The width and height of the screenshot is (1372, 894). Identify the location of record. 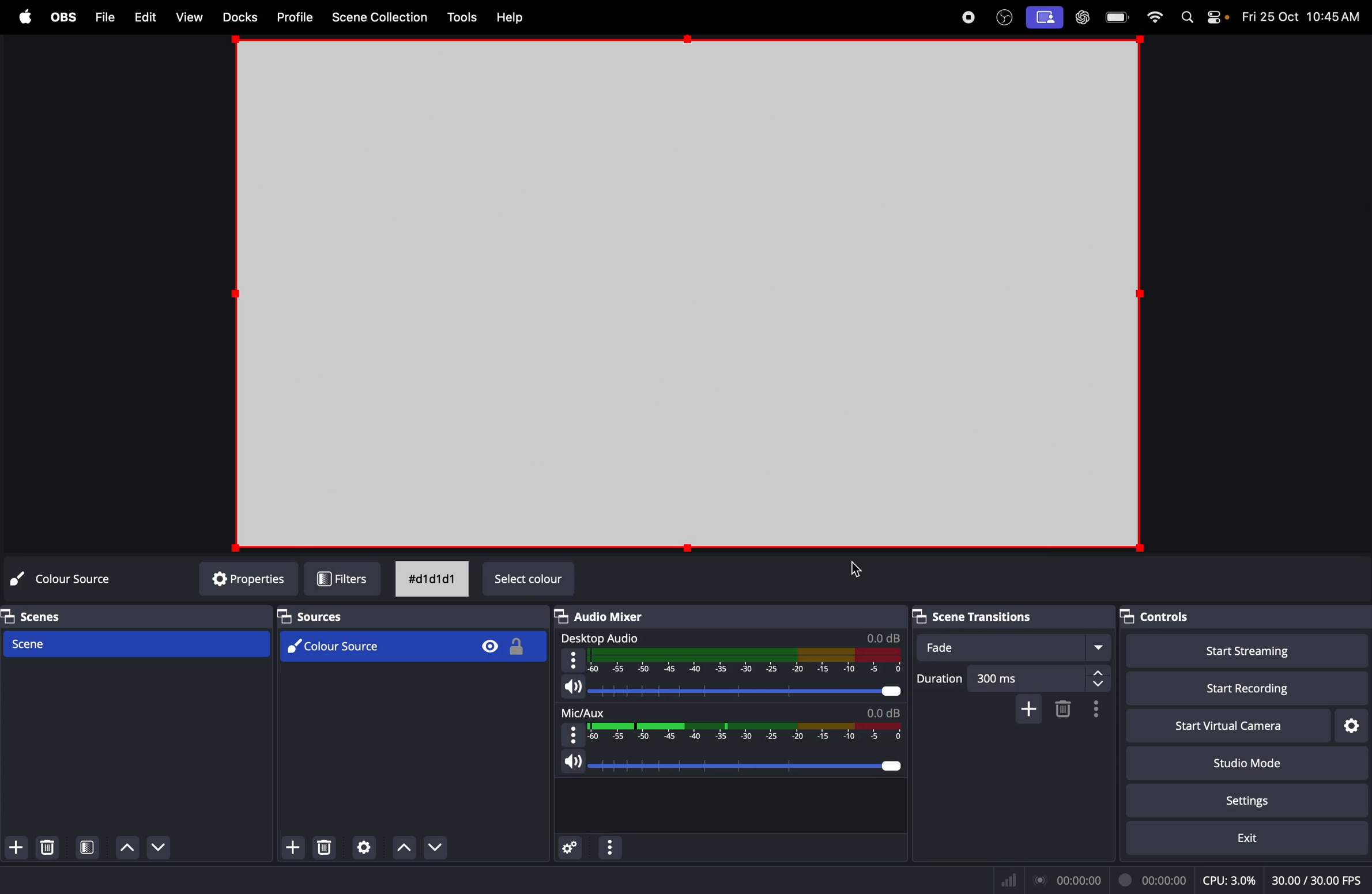
(967, 18).